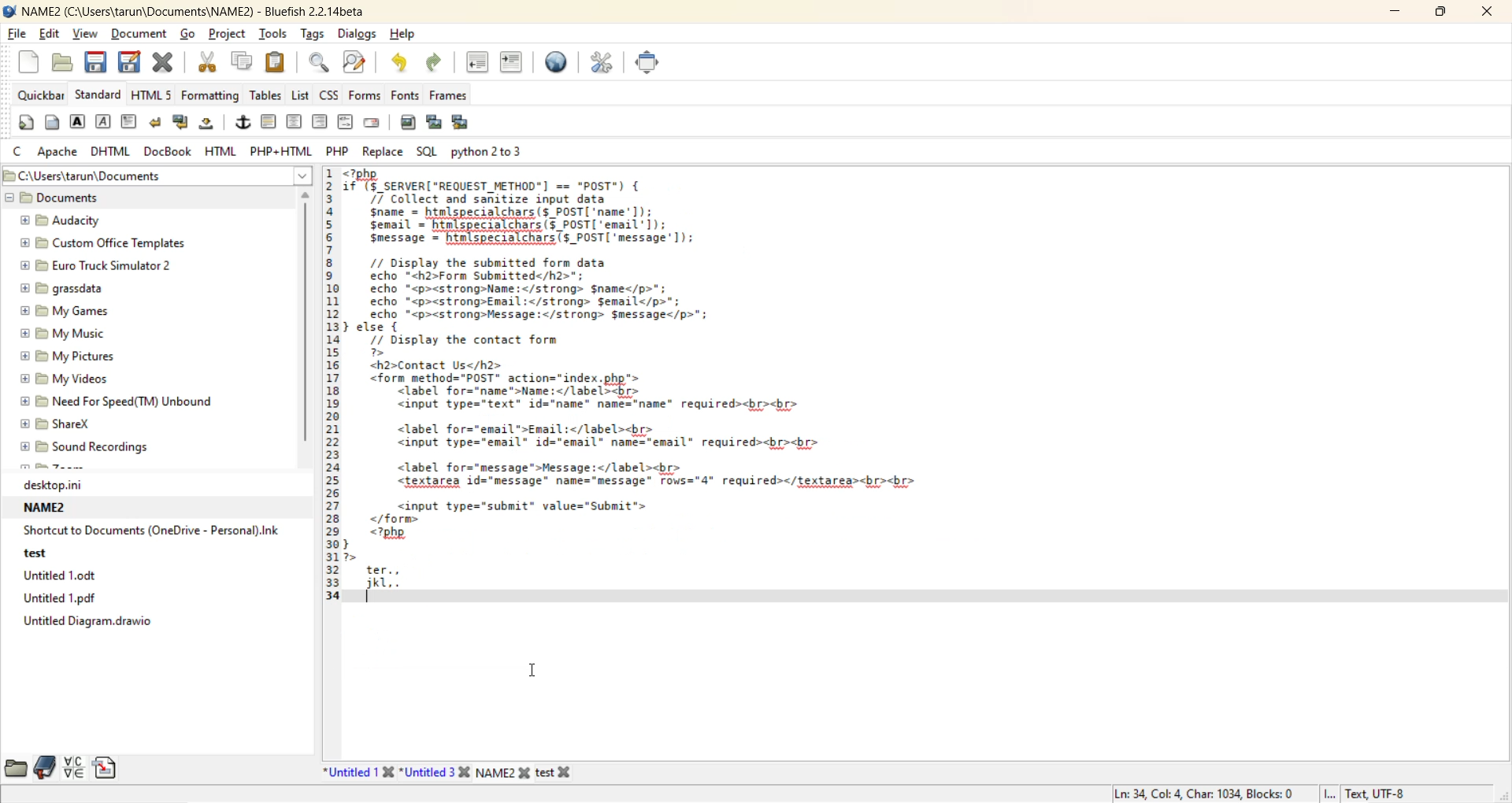 The width and height of the screenshot is (1512, 803). I want to click on NAME2, so click(50, 508).